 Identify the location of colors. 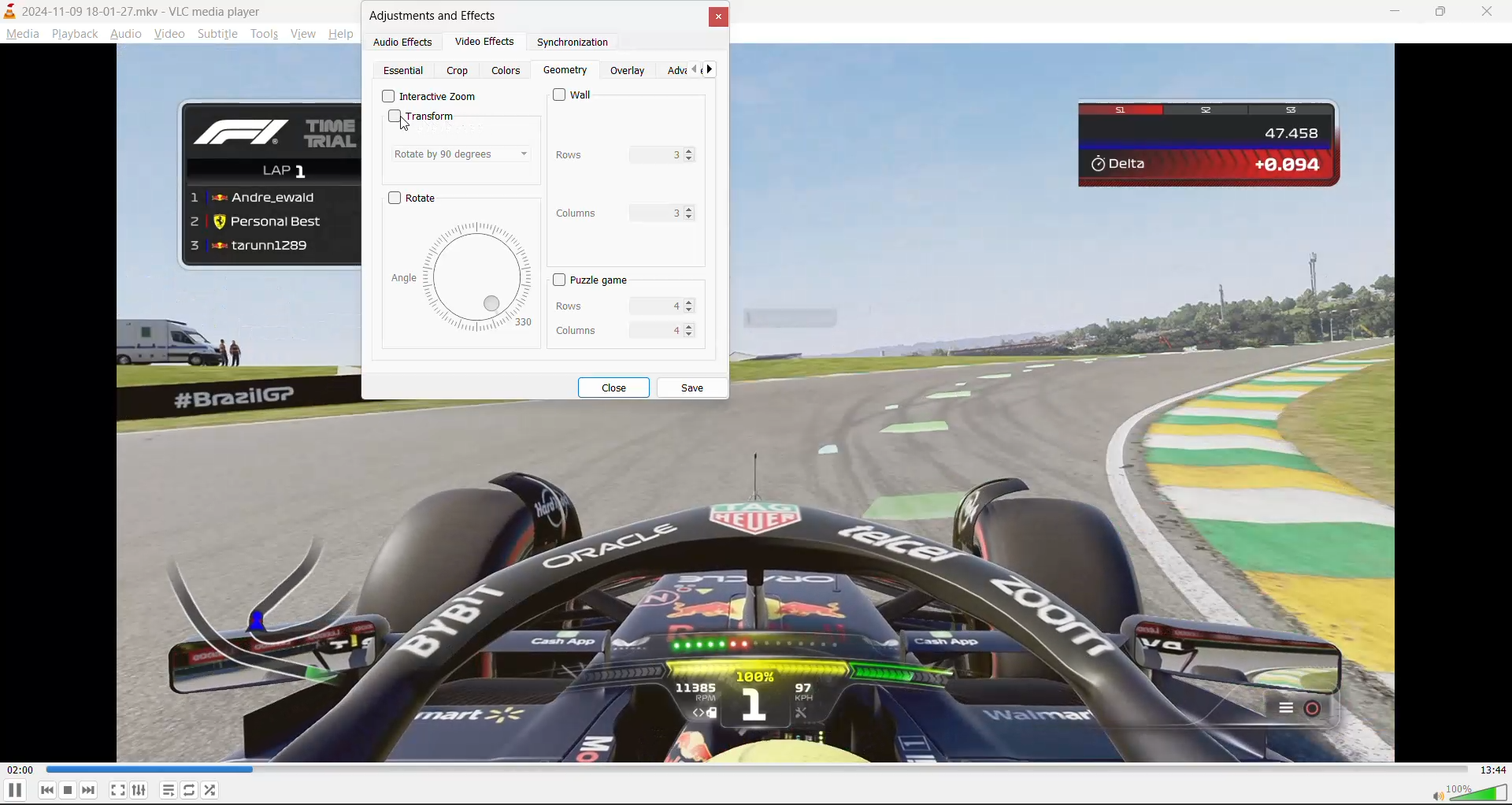
(506, 72).